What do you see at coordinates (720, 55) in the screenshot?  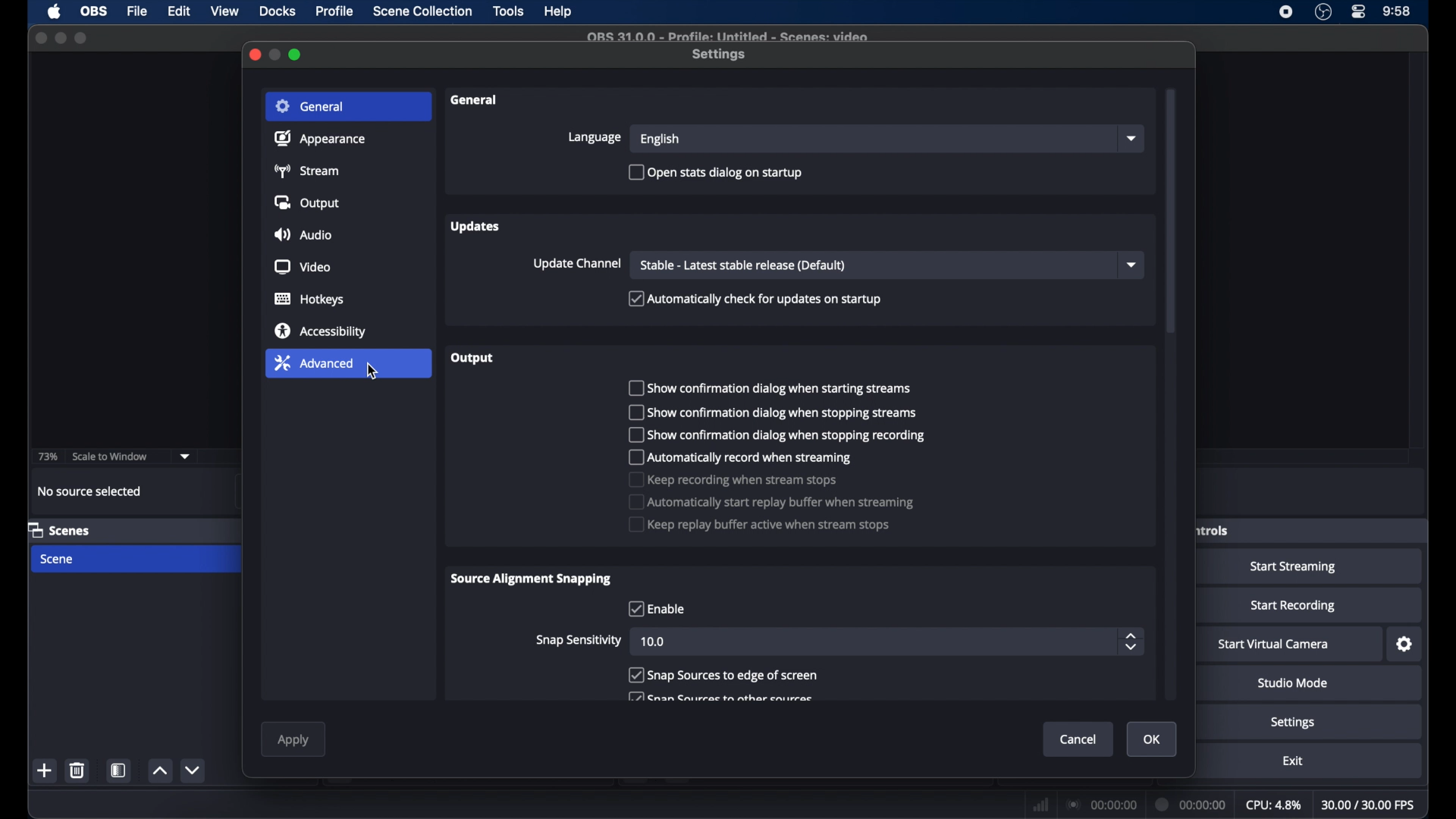 I see `settings` at bounding box center [720, 55].